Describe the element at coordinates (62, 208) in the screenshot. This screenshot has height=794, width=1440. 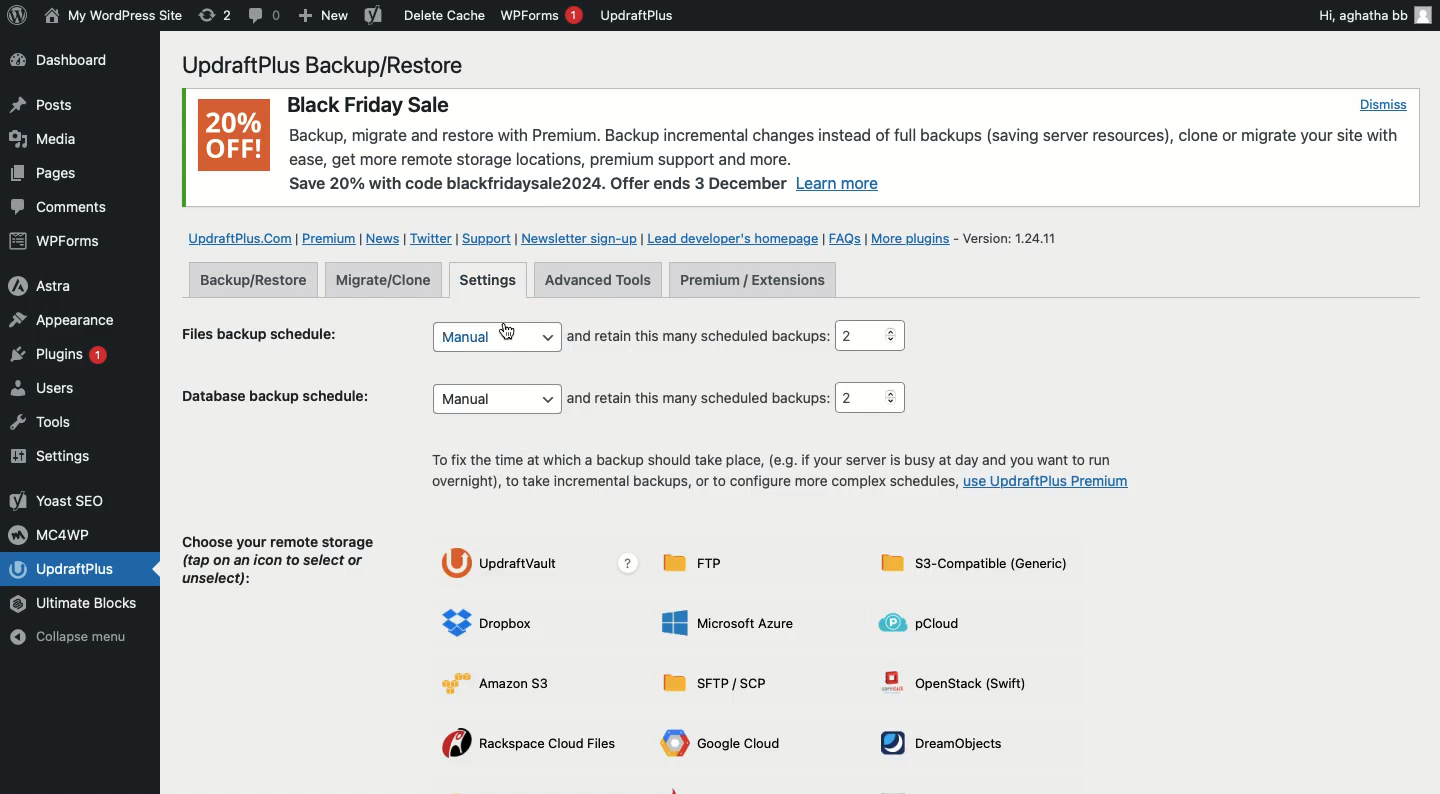
I see `Comments` at that location.